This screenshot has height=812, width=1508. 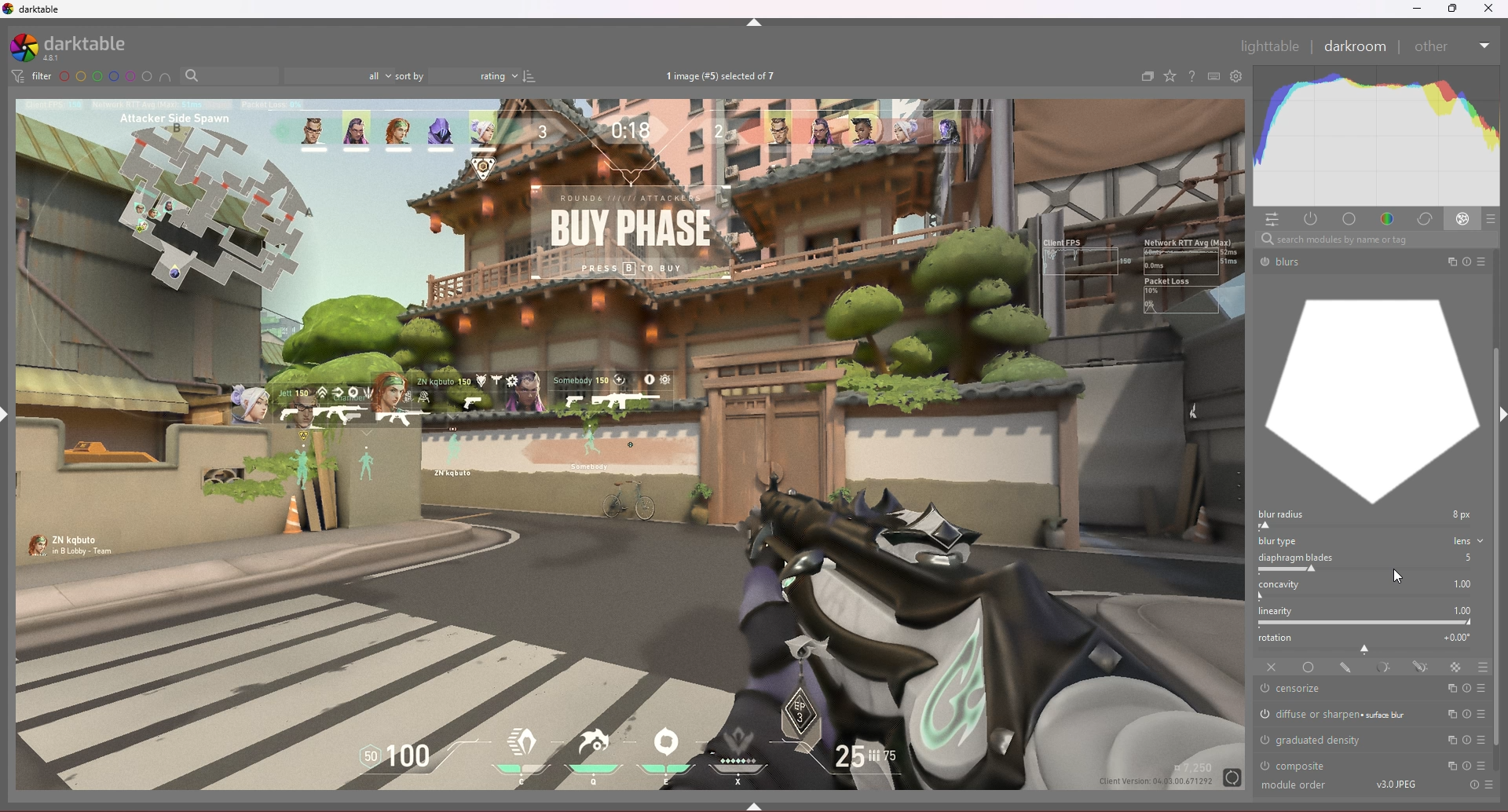 I want to click on create group, so click(x=1147, y=76).